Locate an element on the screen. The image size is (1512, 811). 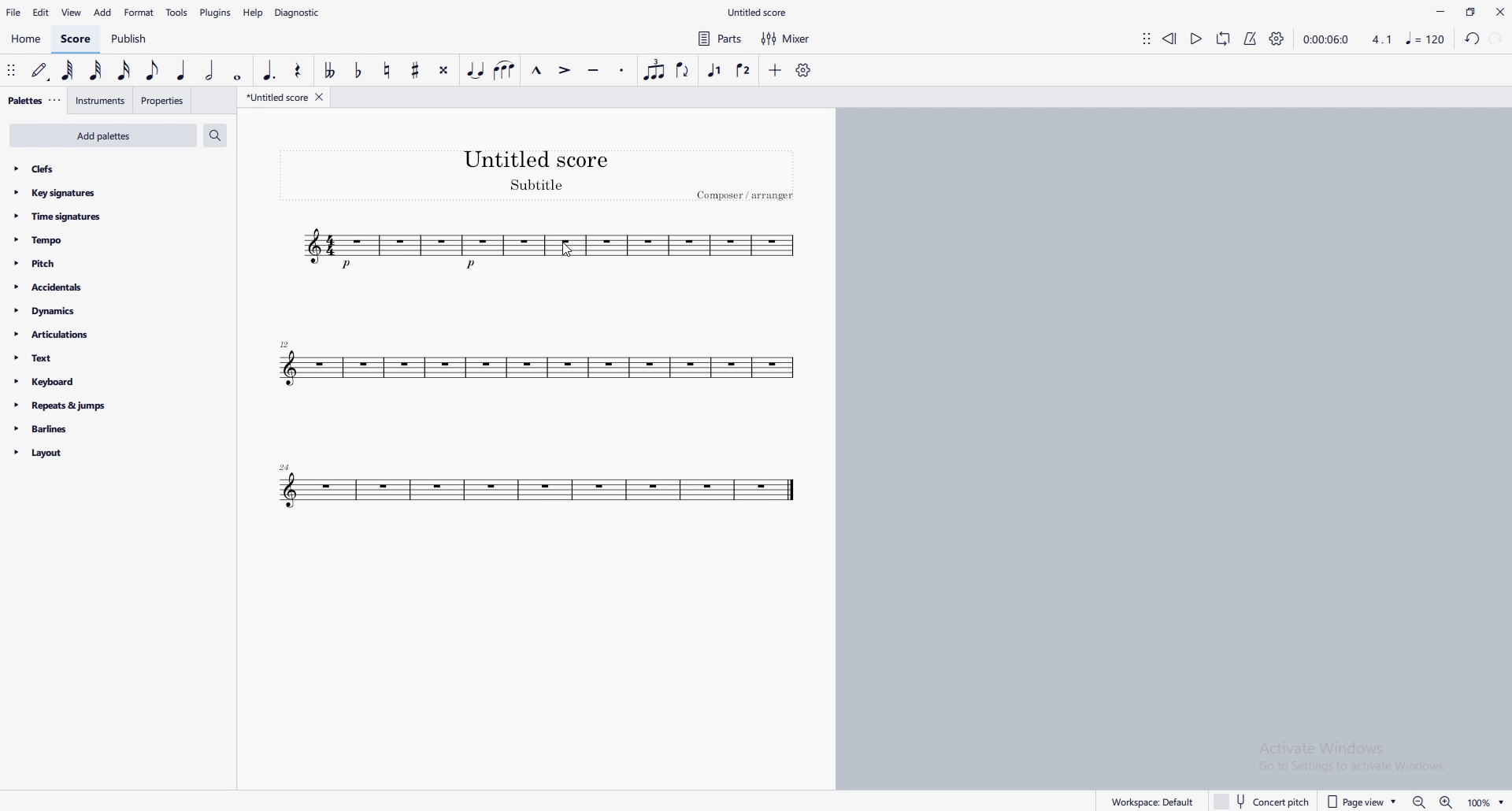
tuplet is located at coordinates (655, 70).